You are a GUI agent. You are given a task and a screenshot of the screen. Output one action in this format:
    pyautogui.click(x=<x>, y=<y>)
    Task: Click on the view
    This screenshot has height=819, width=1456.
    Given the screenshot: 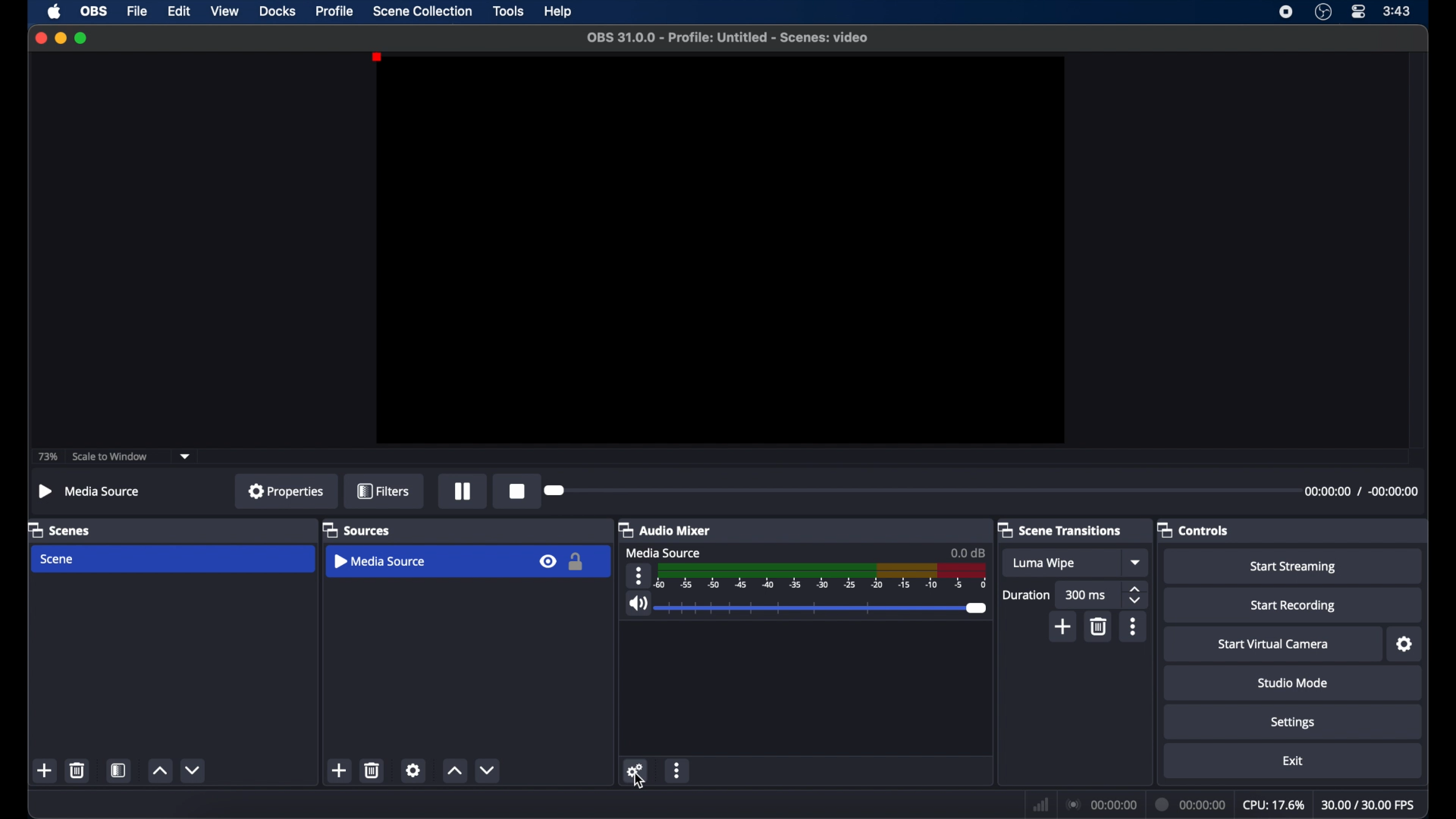 What is the action you would take?
    pyautogui.click(x=224, y=10)
    